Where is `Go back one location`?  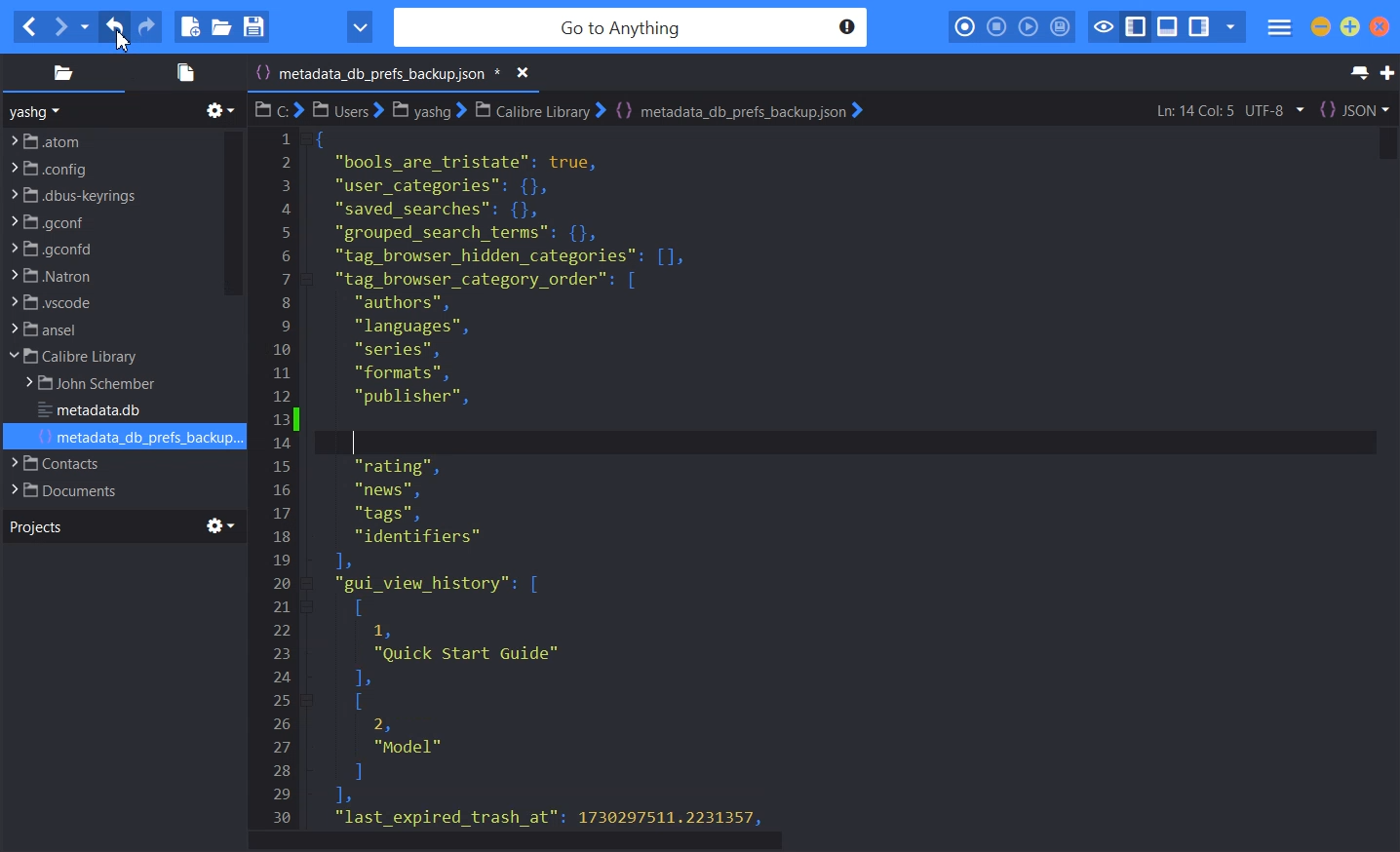
Go back one location is located at coordinates (28, 27).